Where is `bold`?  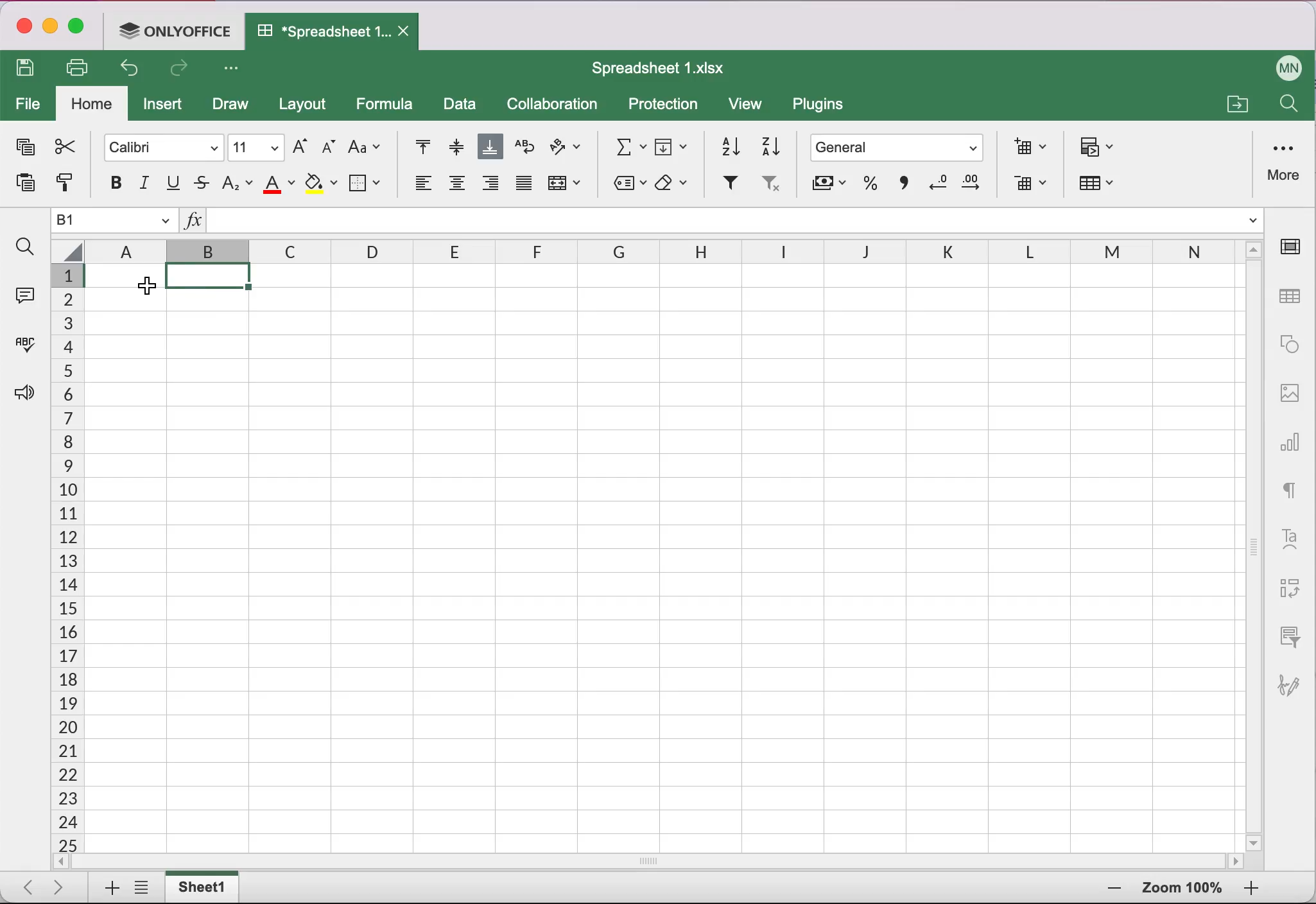
bold is located at coordinates (109, 182).